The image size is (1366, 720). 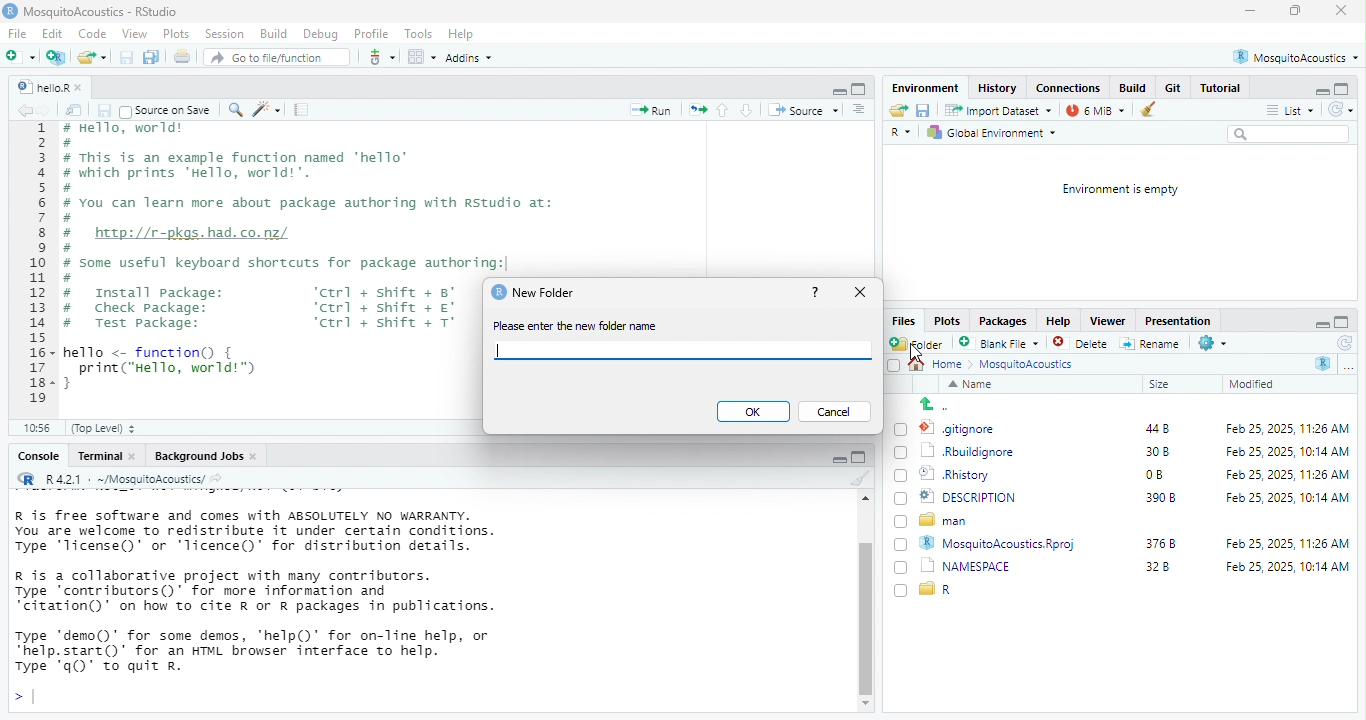 I want to click on  History, so click(x=1001, y=88).